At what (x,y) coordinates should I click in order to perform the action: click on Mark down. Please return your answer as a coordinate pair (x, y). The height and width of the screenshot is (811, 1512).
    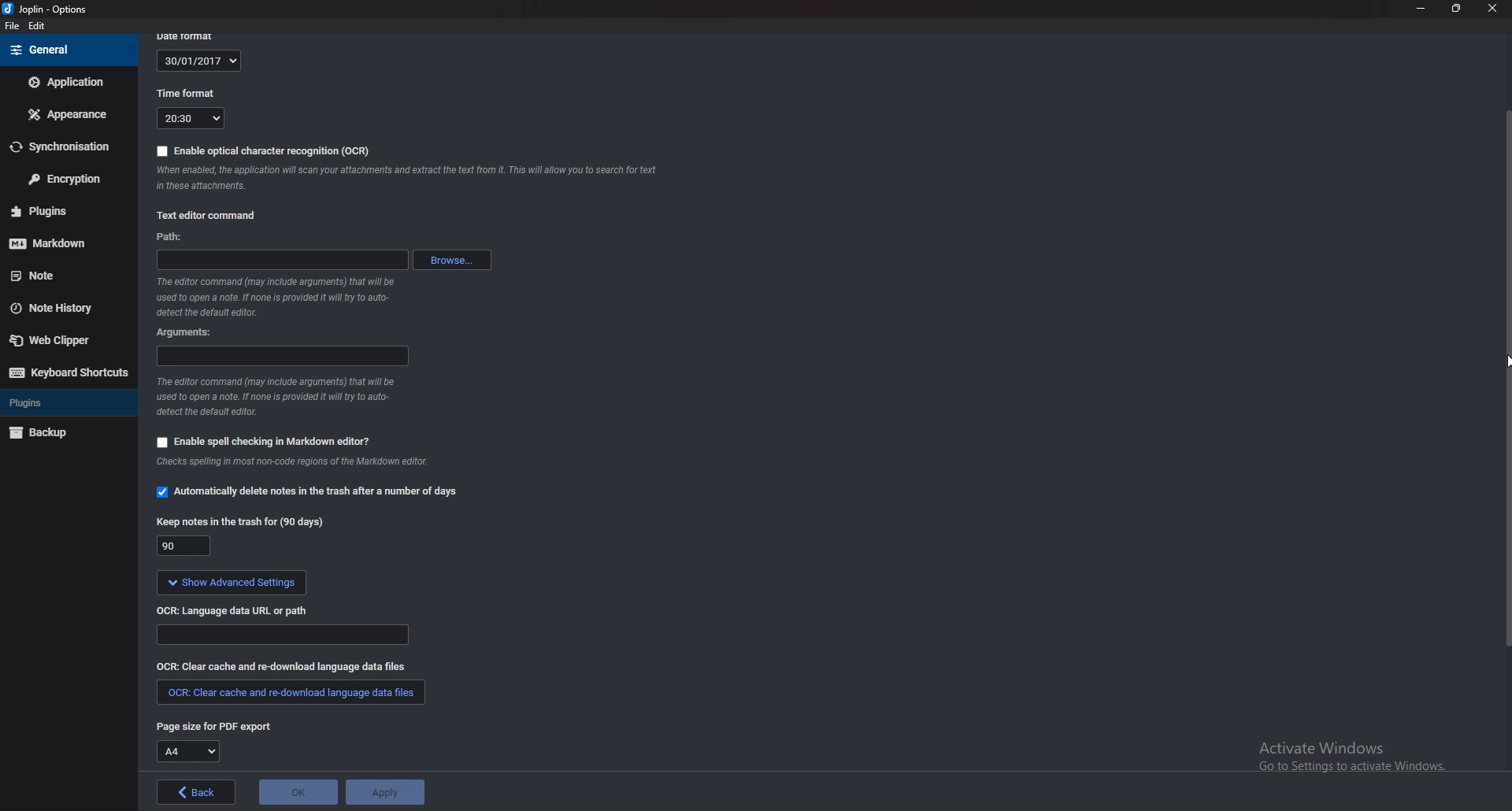
    Looking at the image, I should click on (59, 243).